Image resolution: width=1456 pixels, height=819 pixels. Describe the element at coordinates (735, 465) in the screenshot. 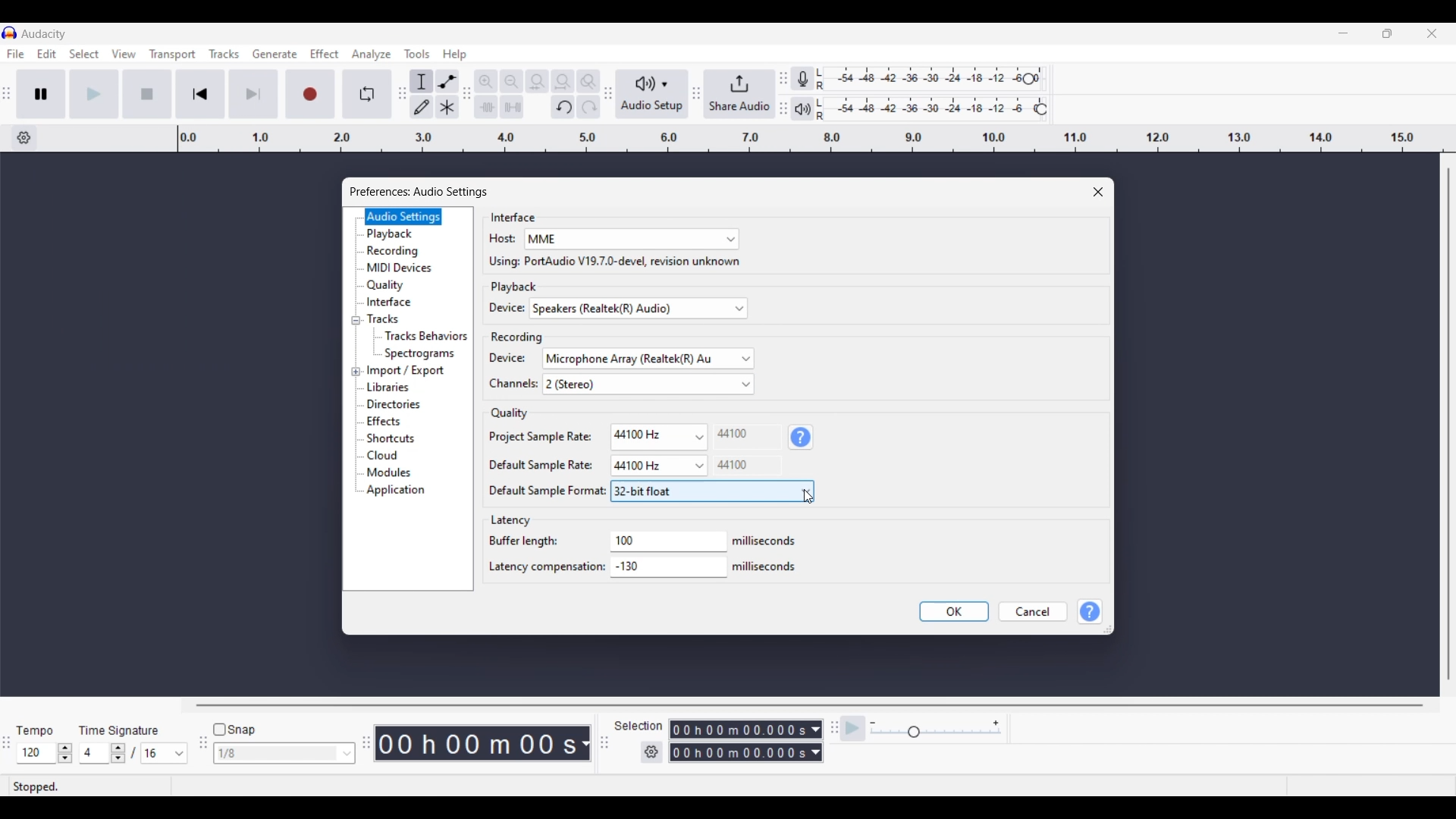

I see `` at that location.